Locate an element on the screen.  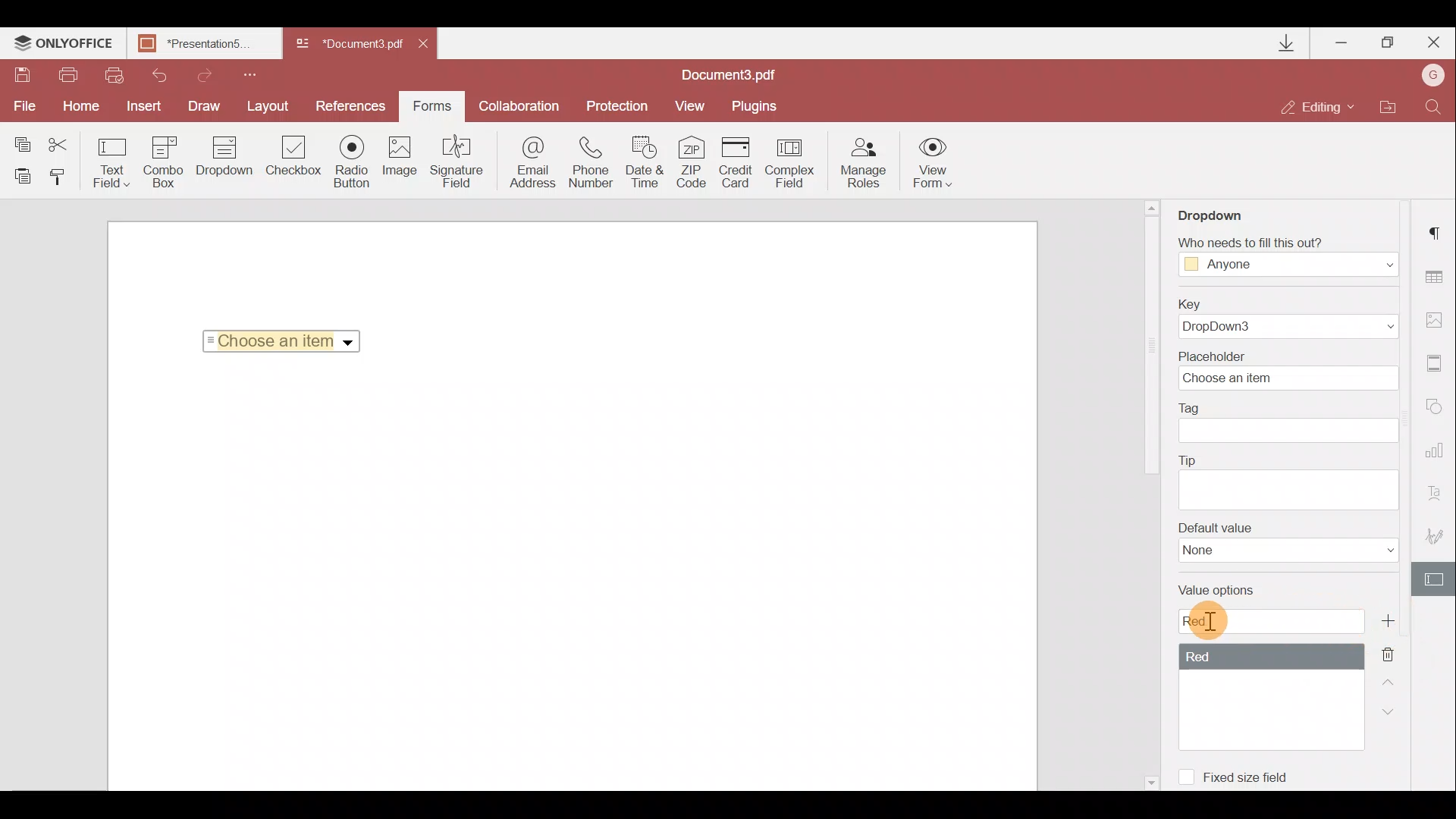
Tip is located at coordinates (1288, 480).